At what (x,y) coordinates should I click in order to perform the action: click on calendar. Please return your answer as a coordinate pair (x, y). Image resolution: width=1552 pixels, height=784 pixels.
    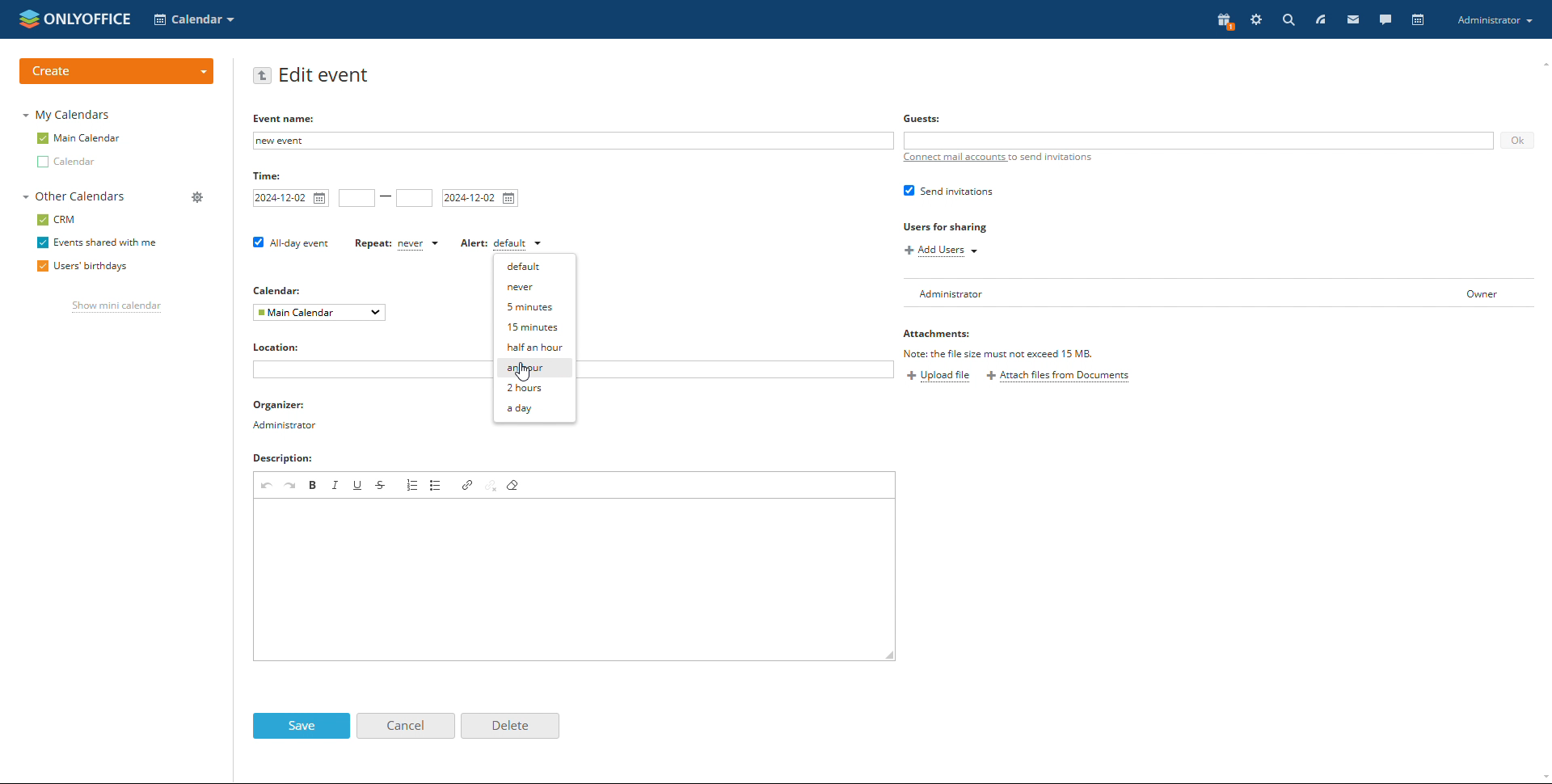
    Looking at the image, I should click on (280, 290).